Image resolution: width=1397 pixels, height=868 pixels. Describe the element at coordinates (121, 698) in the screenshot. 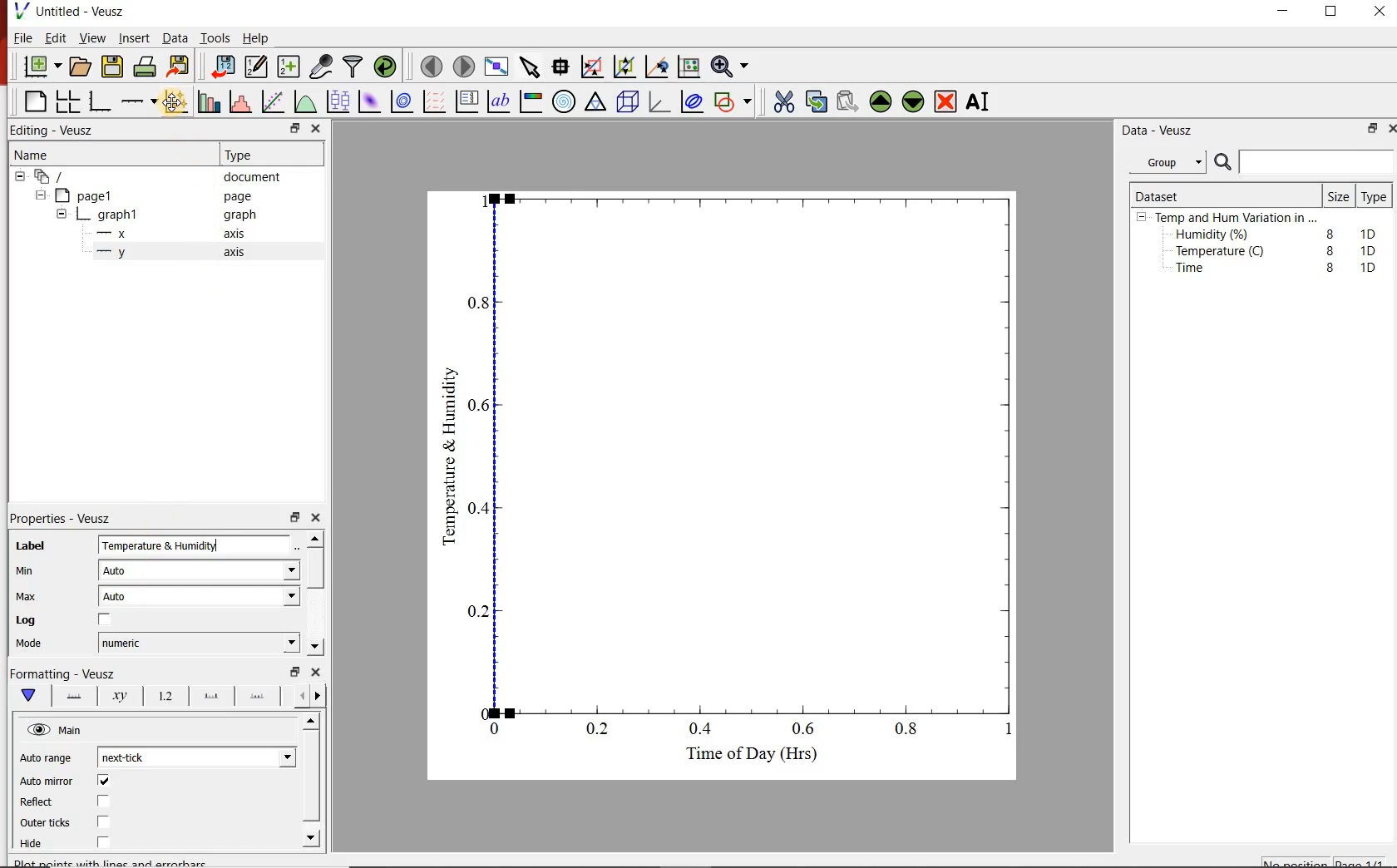

I see `axis label` at that location.